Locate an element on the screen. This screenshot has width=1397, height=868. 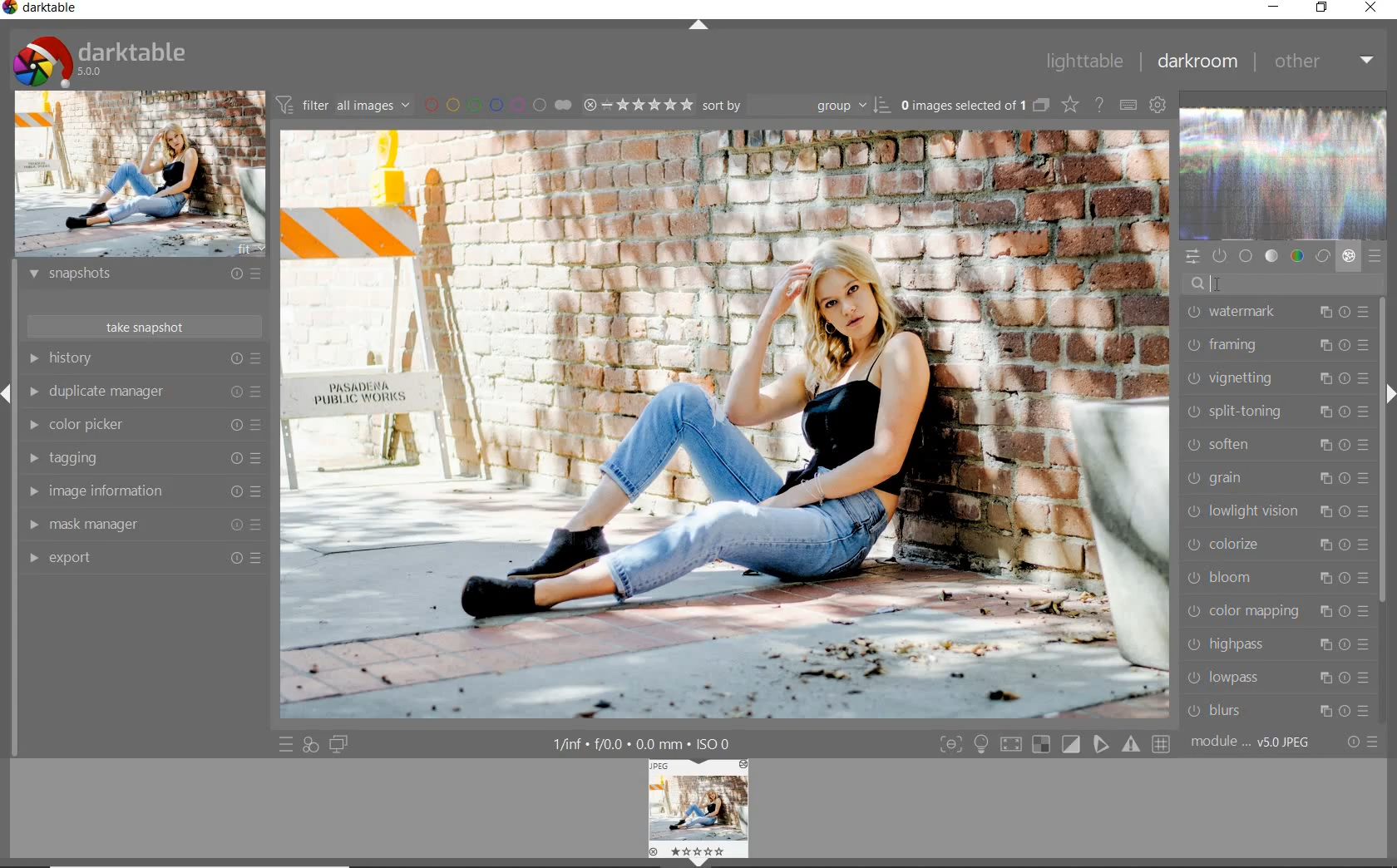
lighttable is located at coordinates (1083, 64).